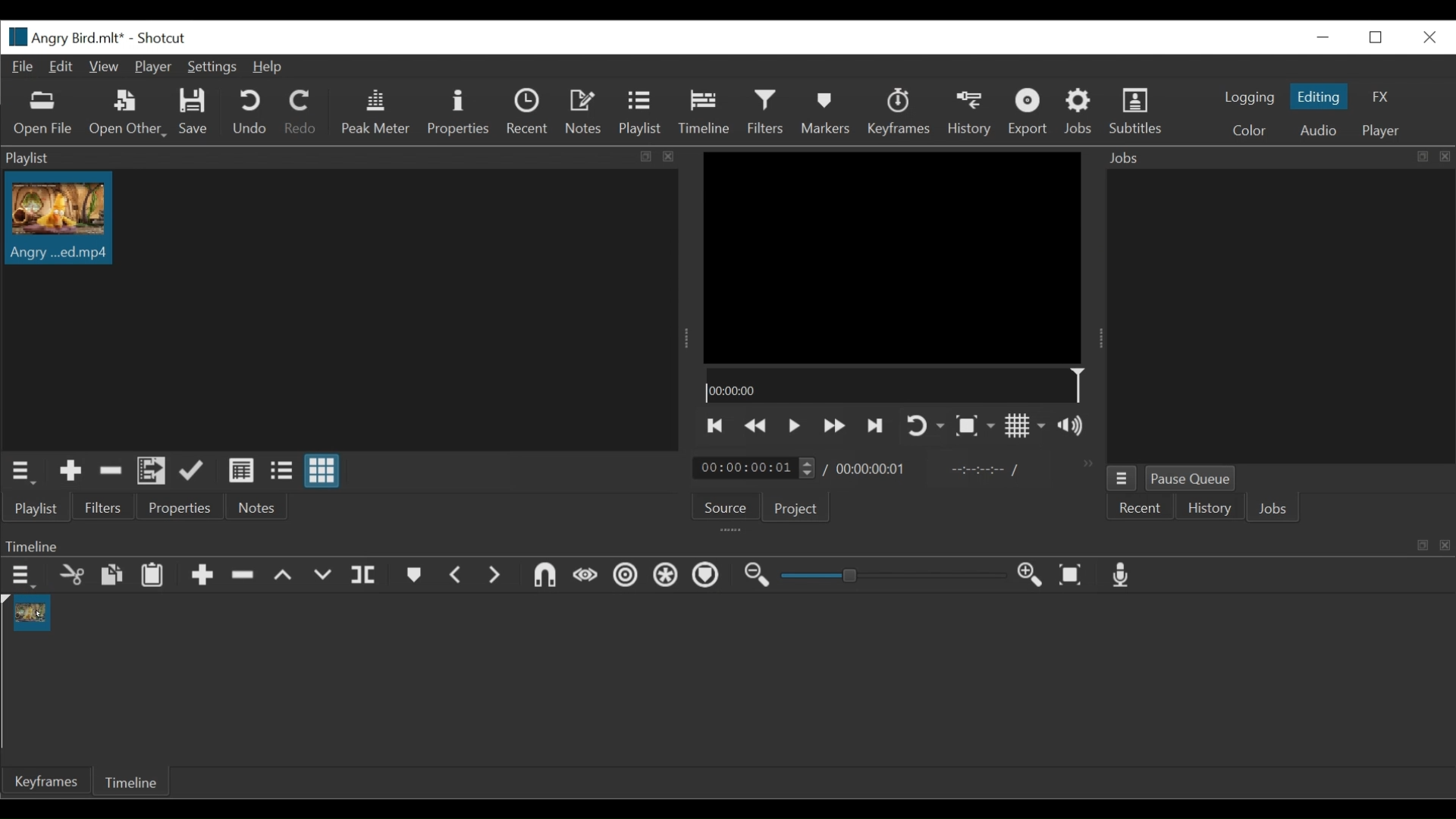 This screenshot has height=819, width=1456. I want to click on Markers, so click(829, 114).